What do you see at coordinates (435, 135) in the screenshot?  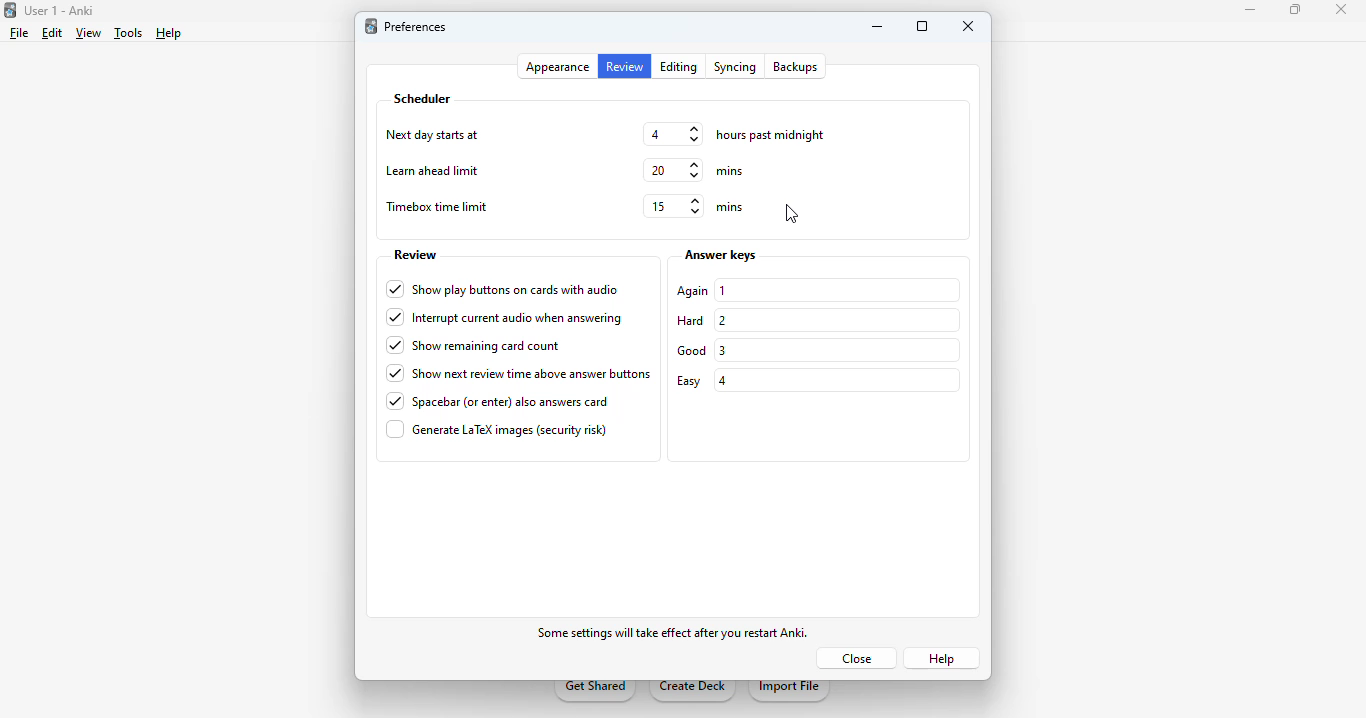 I see `next day starts at` at bounding box center [435, 135].